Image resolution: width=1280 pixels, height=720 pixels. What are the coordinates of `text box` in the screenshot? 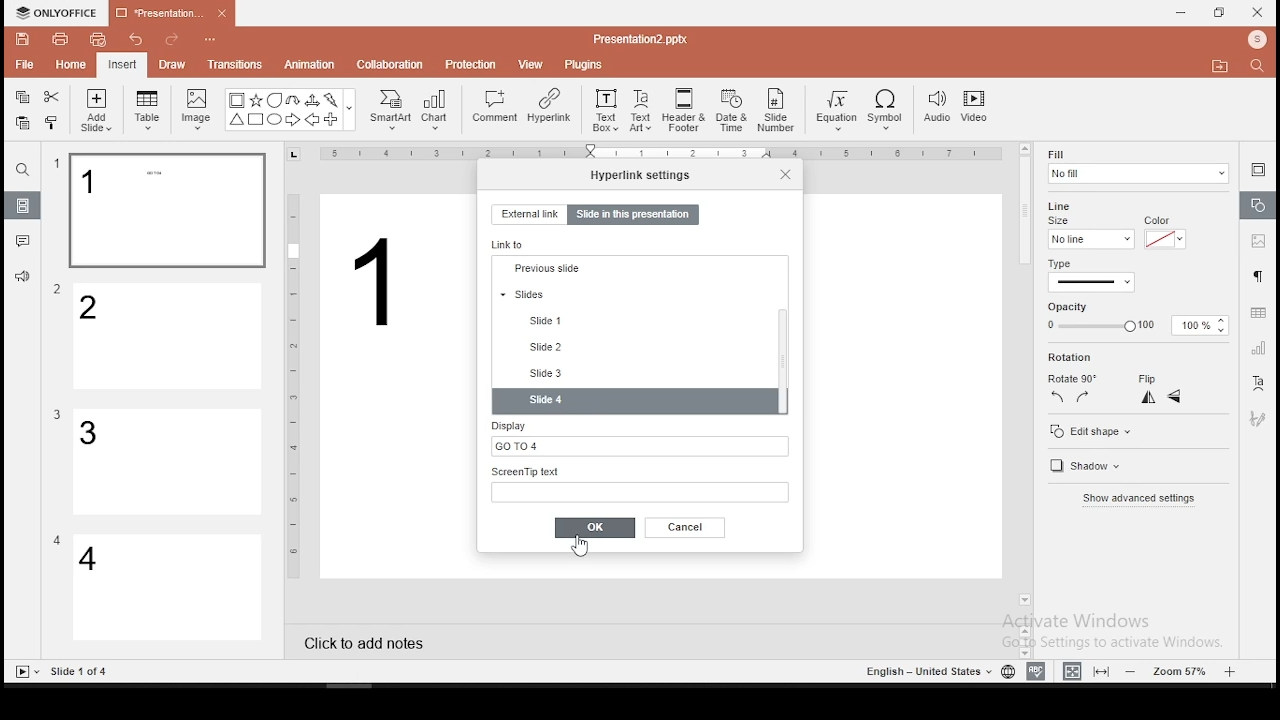 It's located at (604, 108).